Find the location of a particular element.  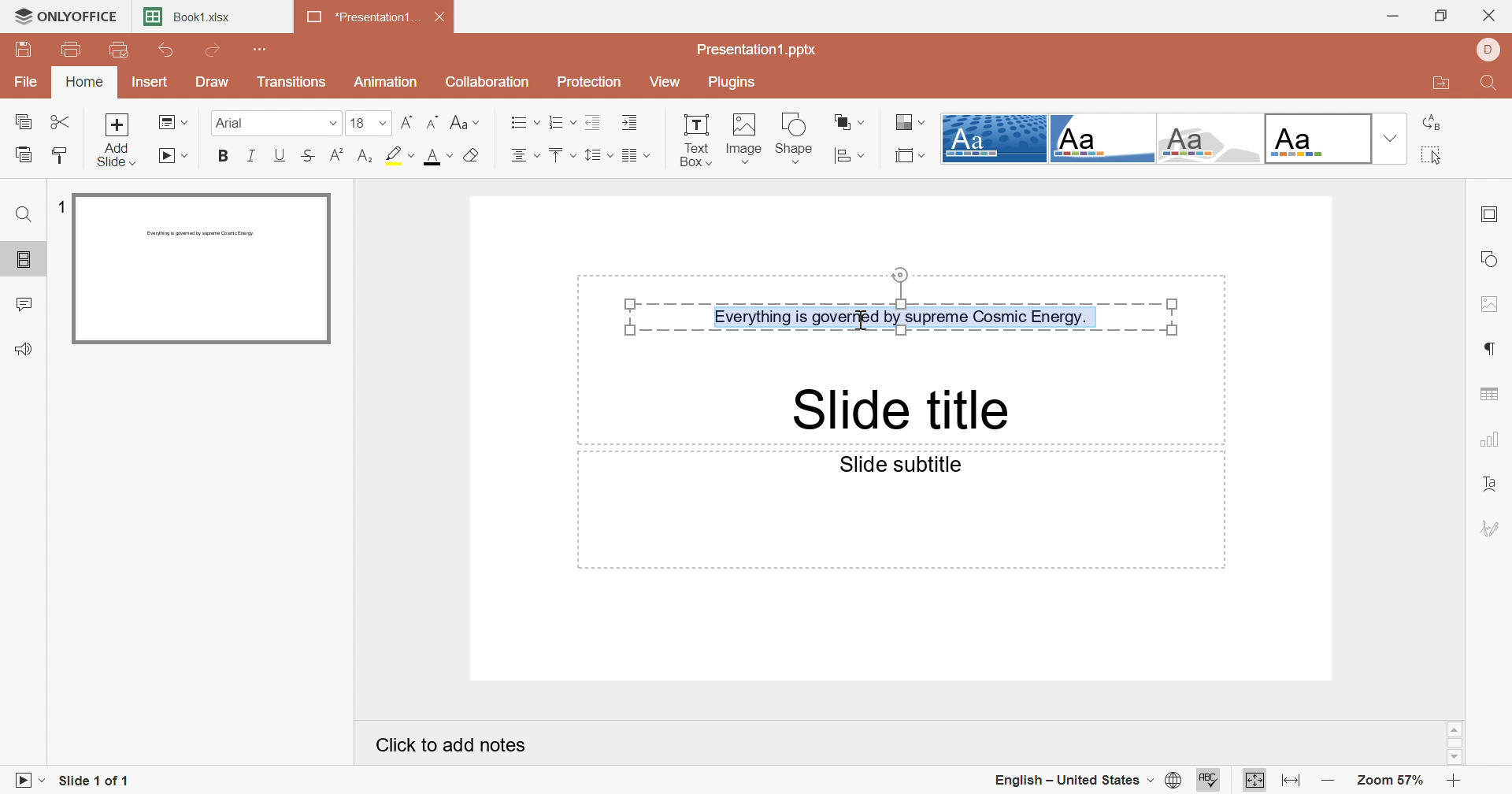

Copy is located at coordinates (22, 120).